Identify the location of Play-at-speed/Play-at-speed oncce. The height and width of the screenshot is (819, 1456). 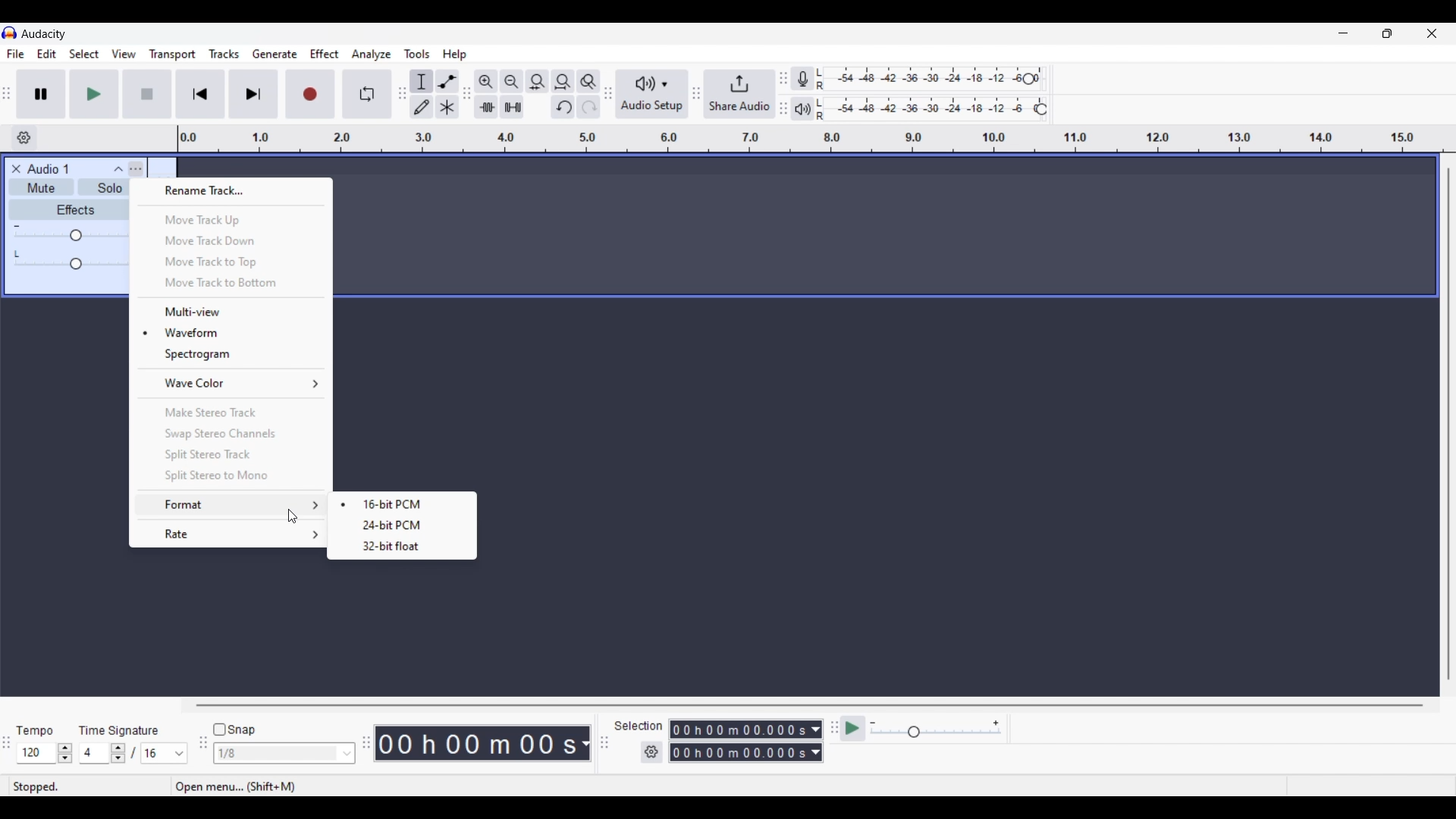
(853, 729).